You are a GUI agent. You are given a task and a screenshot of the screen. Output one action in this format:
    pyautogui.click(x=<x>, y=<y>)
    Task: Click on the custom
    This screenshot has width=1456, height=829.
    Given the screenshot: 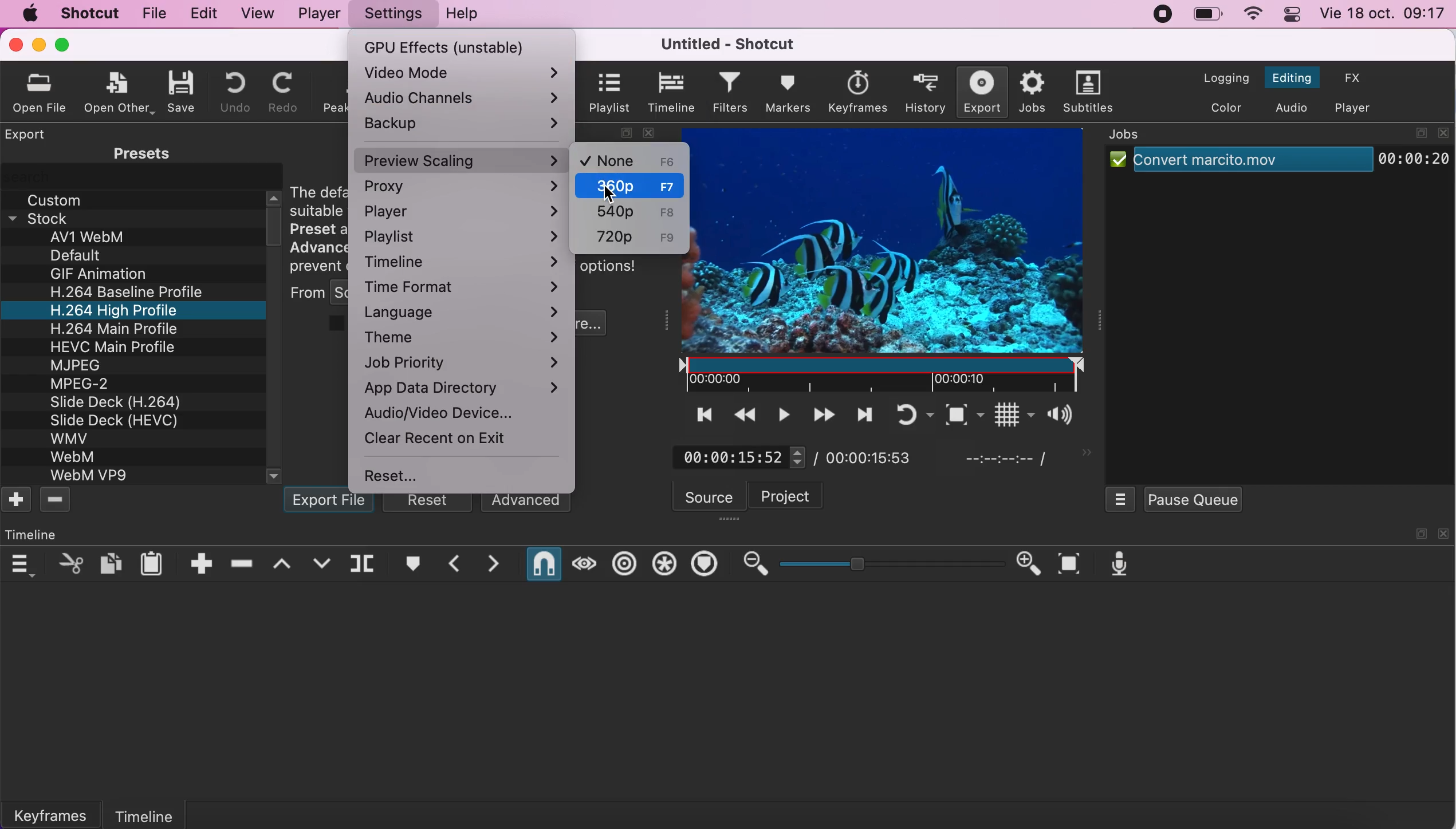 What is the action you would take?
    pyautogui.click(x=59, y=198)
    